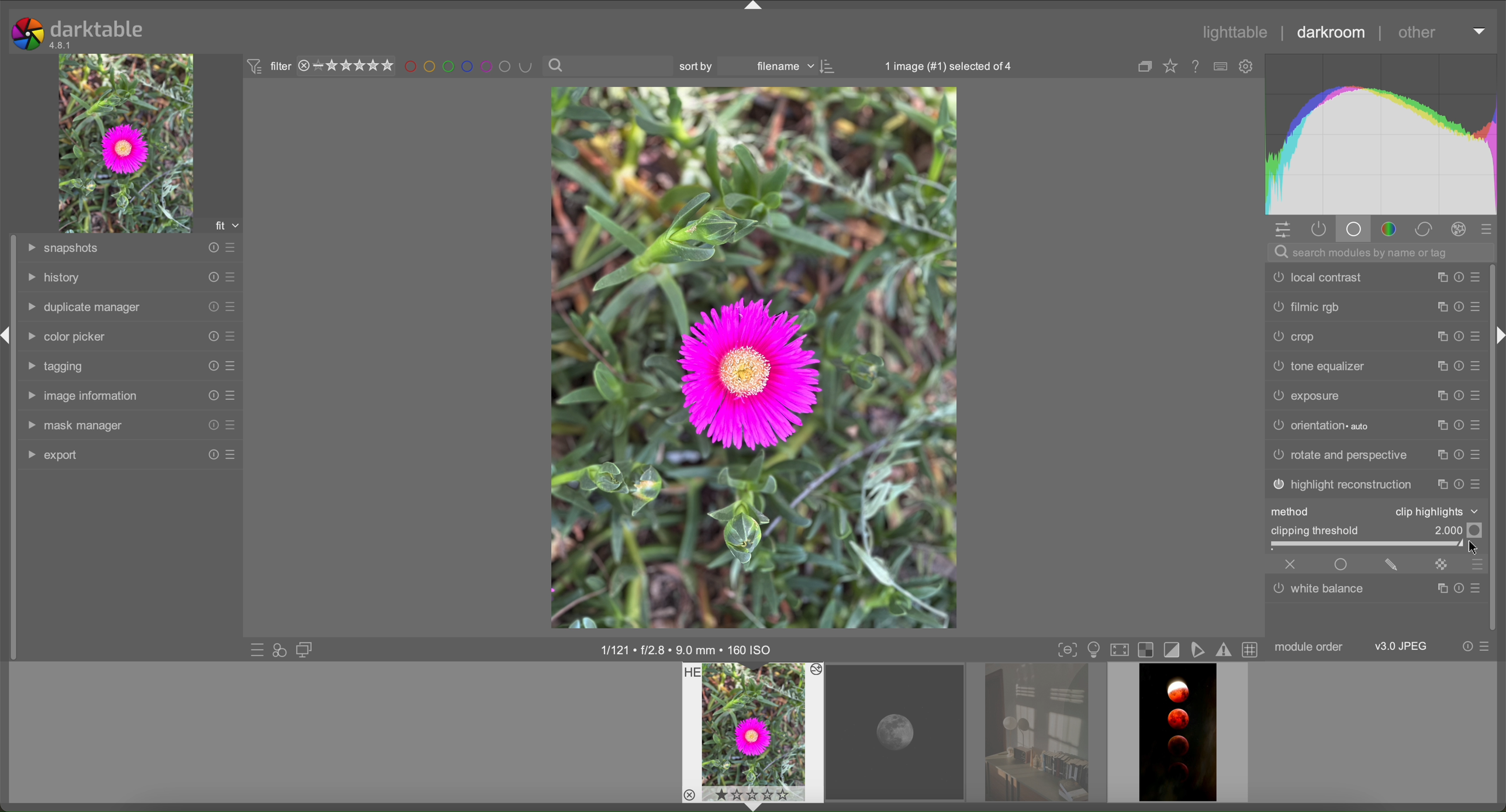  Describe the element at coordinates (1500, 336) in the screenshot. I see `arrow` at that location.